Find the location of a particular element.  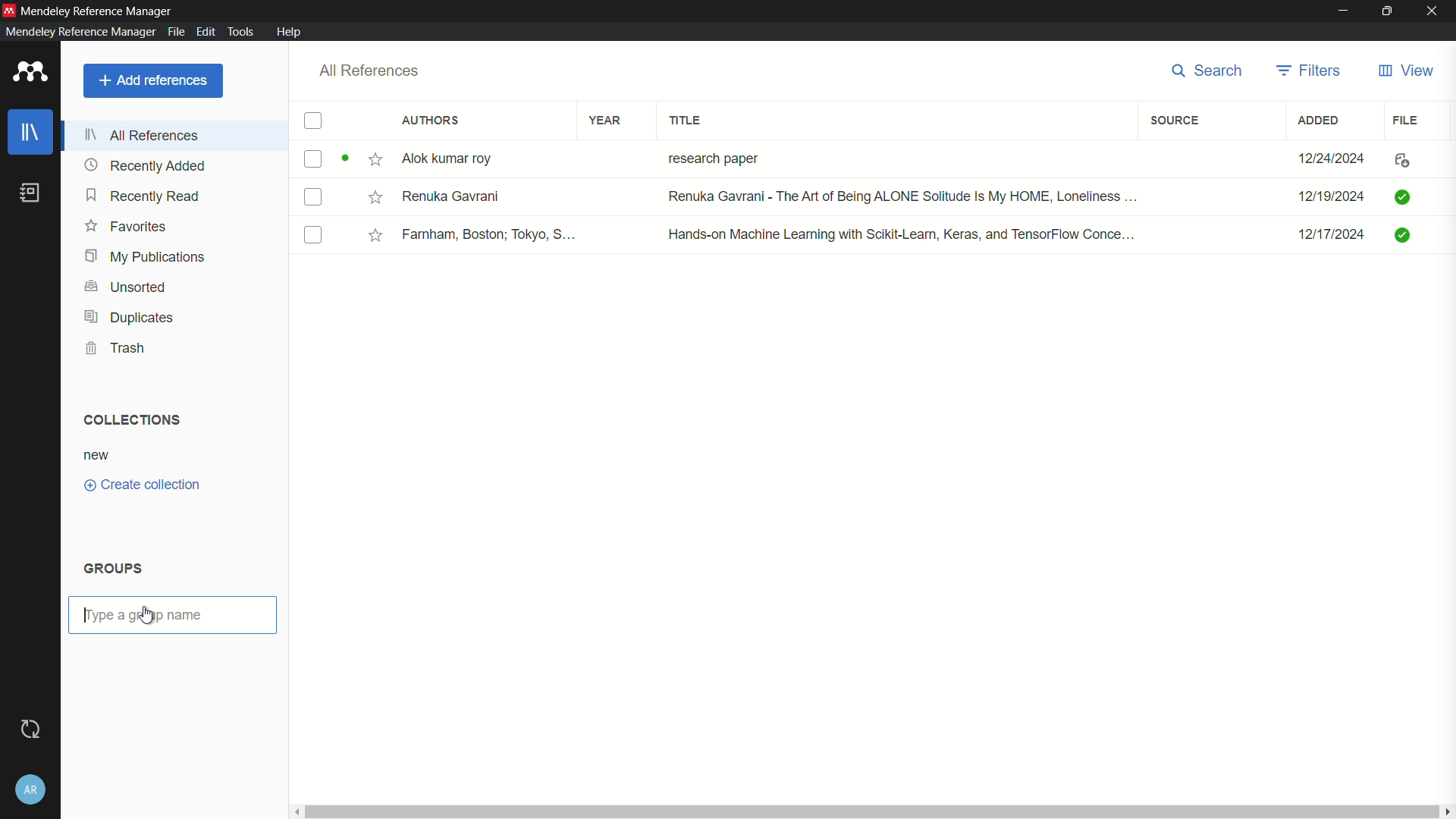

create collection is located at coordinates (143, 485).